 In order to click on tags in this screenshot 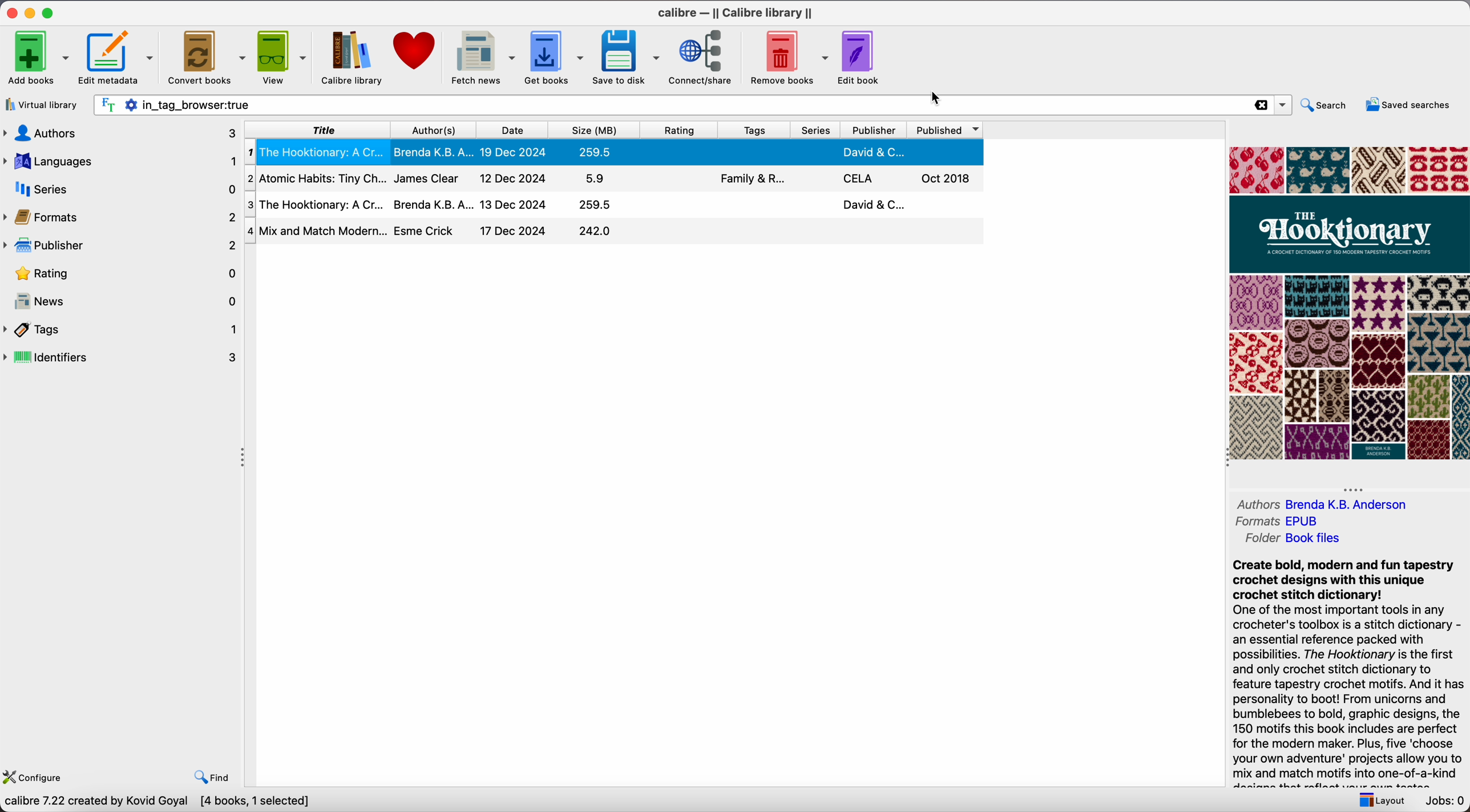, I will do `click(755, 128)`.